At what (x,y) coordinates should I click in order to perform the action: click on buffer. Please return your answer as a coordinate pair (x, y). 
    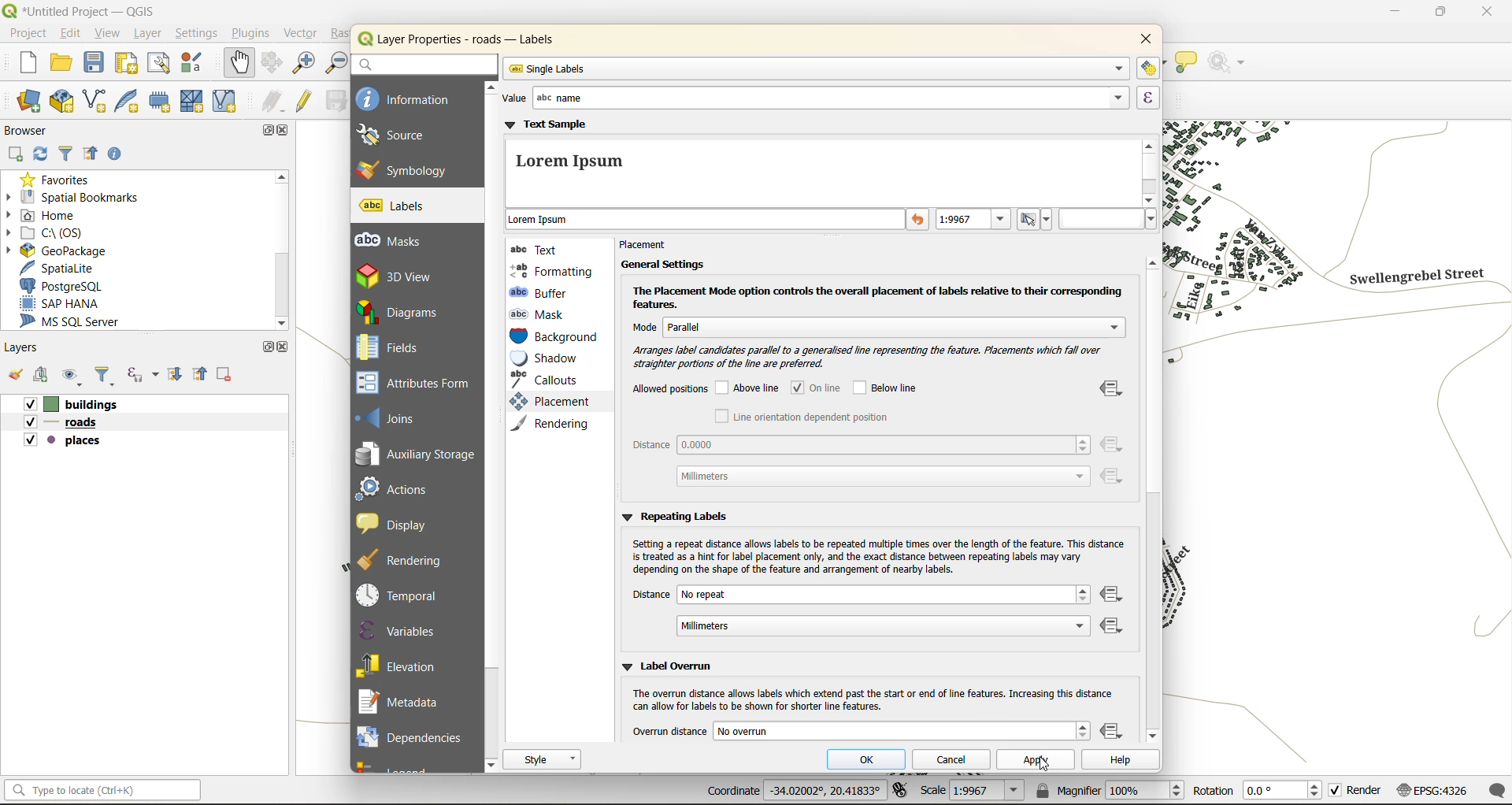
    Looking at the image, I should click on (543, 292).